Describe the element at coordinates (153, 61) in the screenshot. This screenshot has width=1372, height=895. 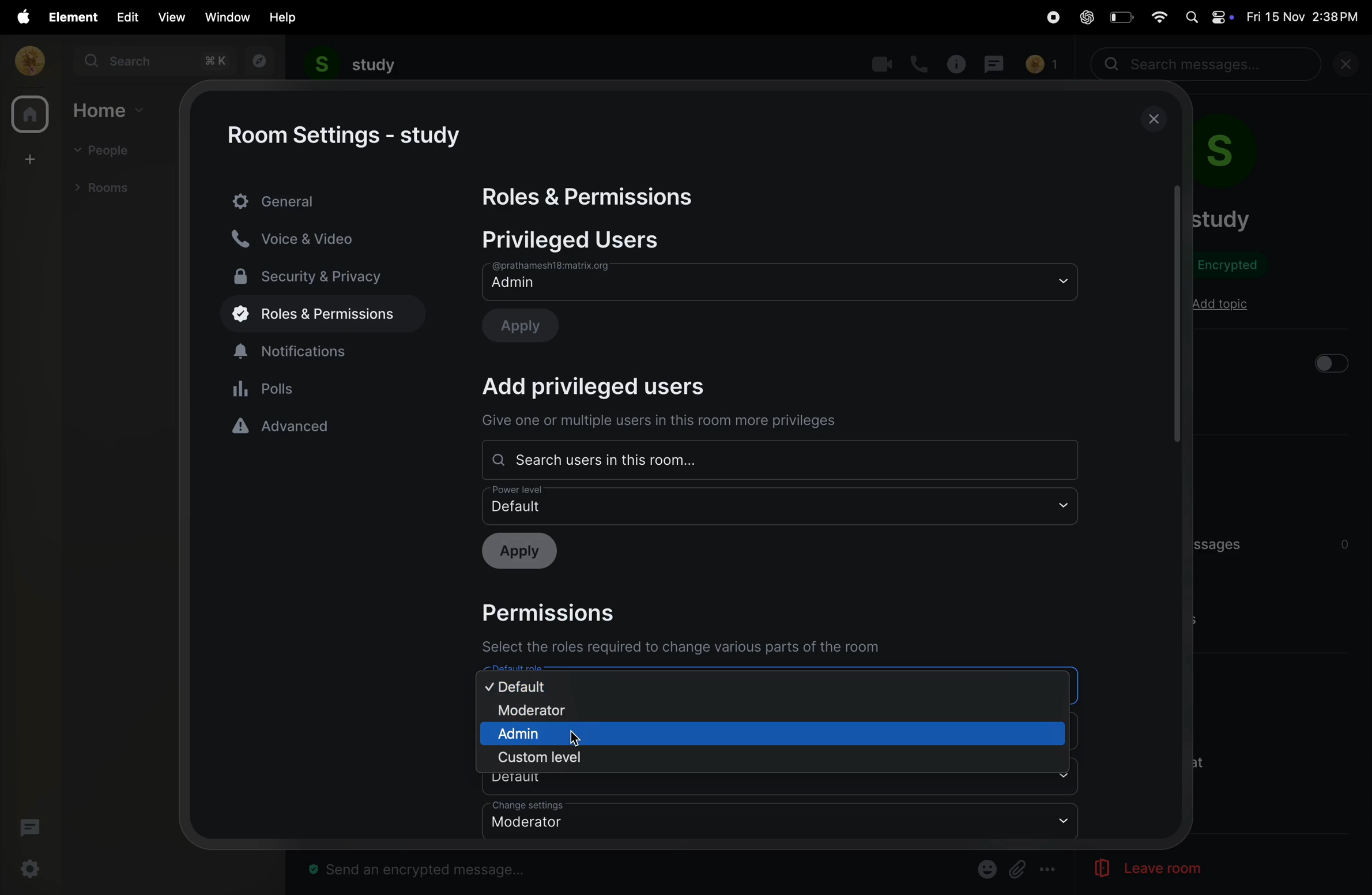
I see `search` at that location.